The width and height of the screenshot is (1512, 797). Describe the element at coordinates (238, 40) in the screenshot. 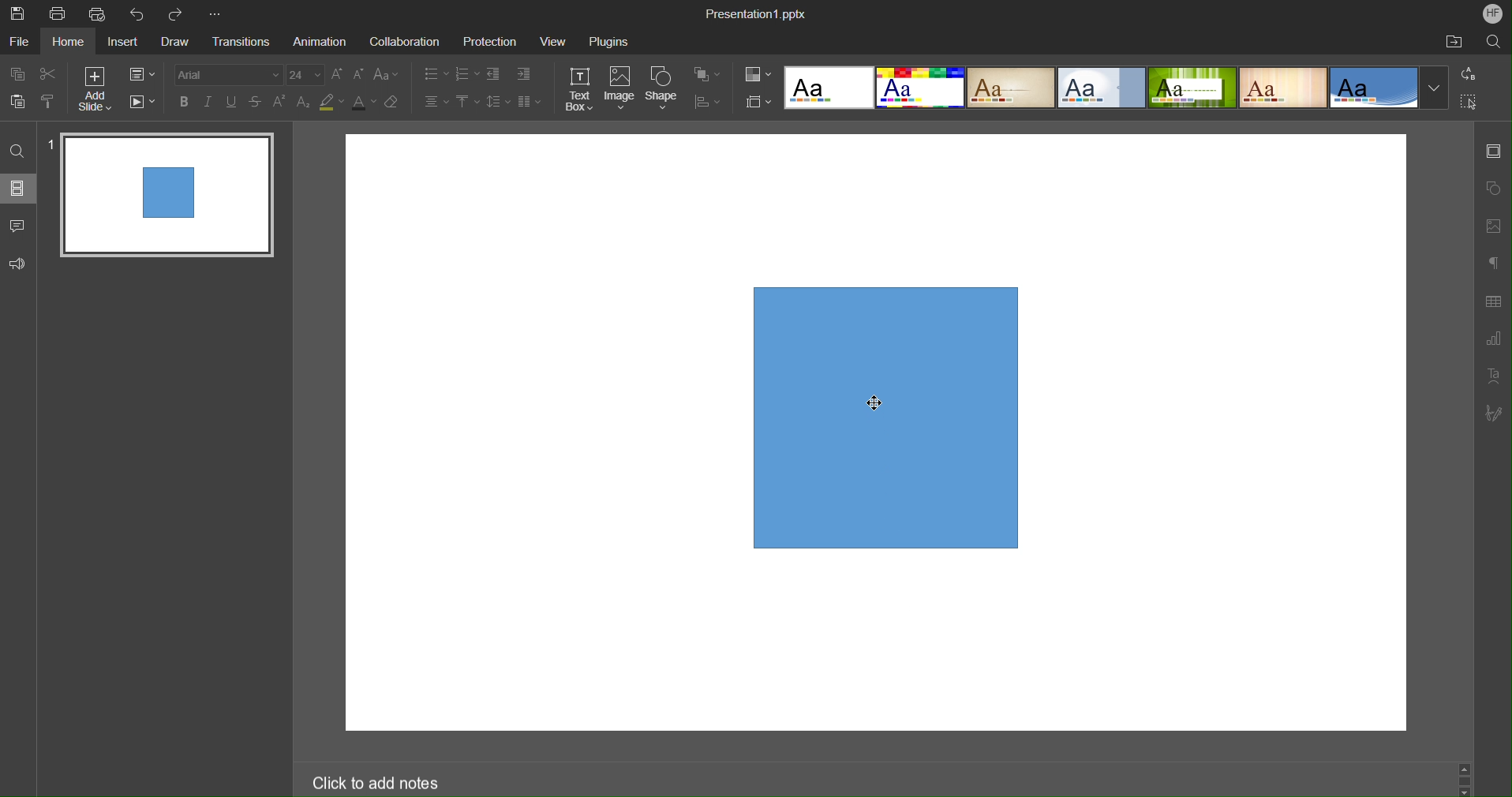

I see `Transitions` at that location.